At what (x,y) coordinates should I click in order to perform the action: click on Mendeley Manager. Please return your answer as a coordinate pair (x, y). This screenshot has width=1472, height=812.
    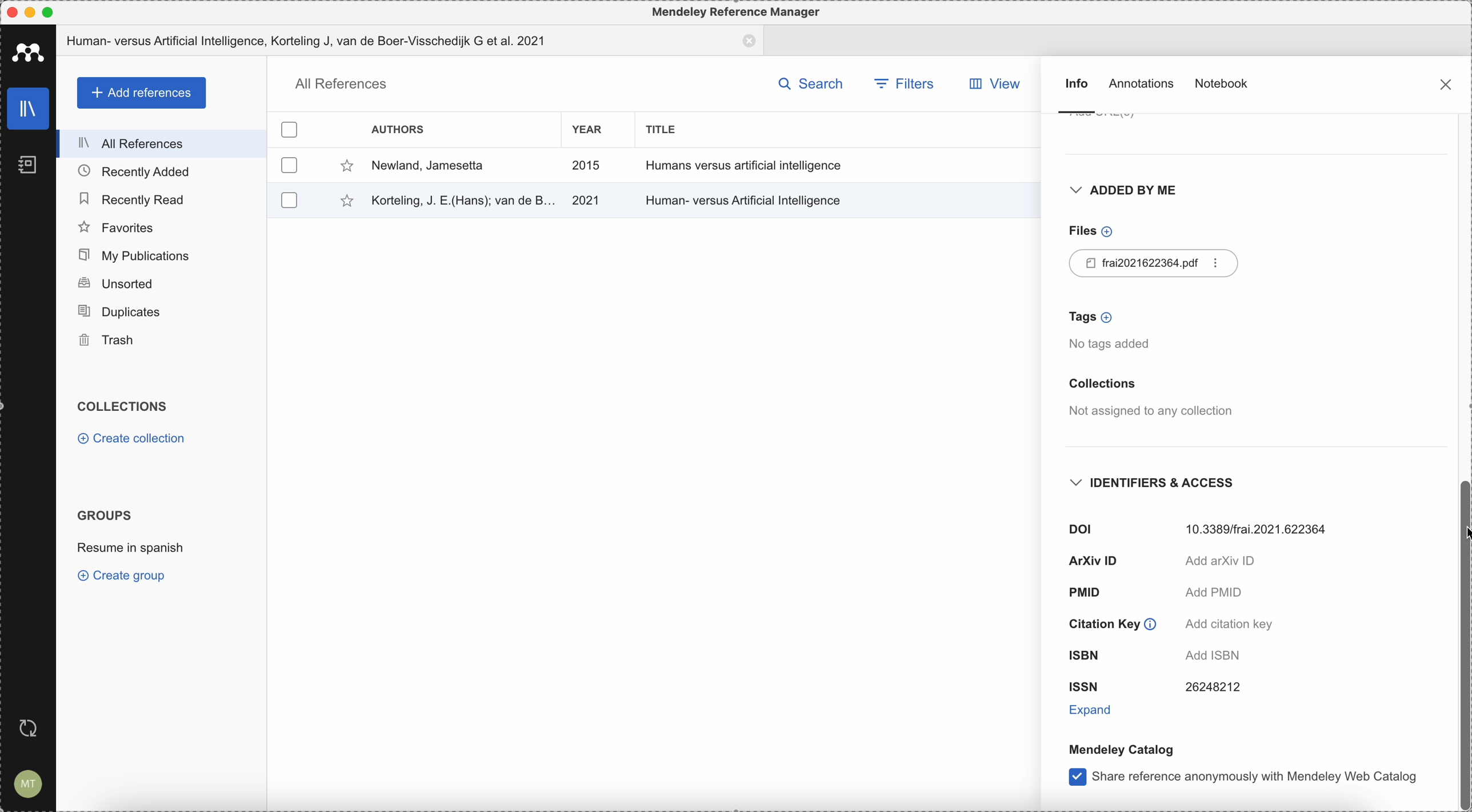
    Looking at the image, I should click on (738, 13).